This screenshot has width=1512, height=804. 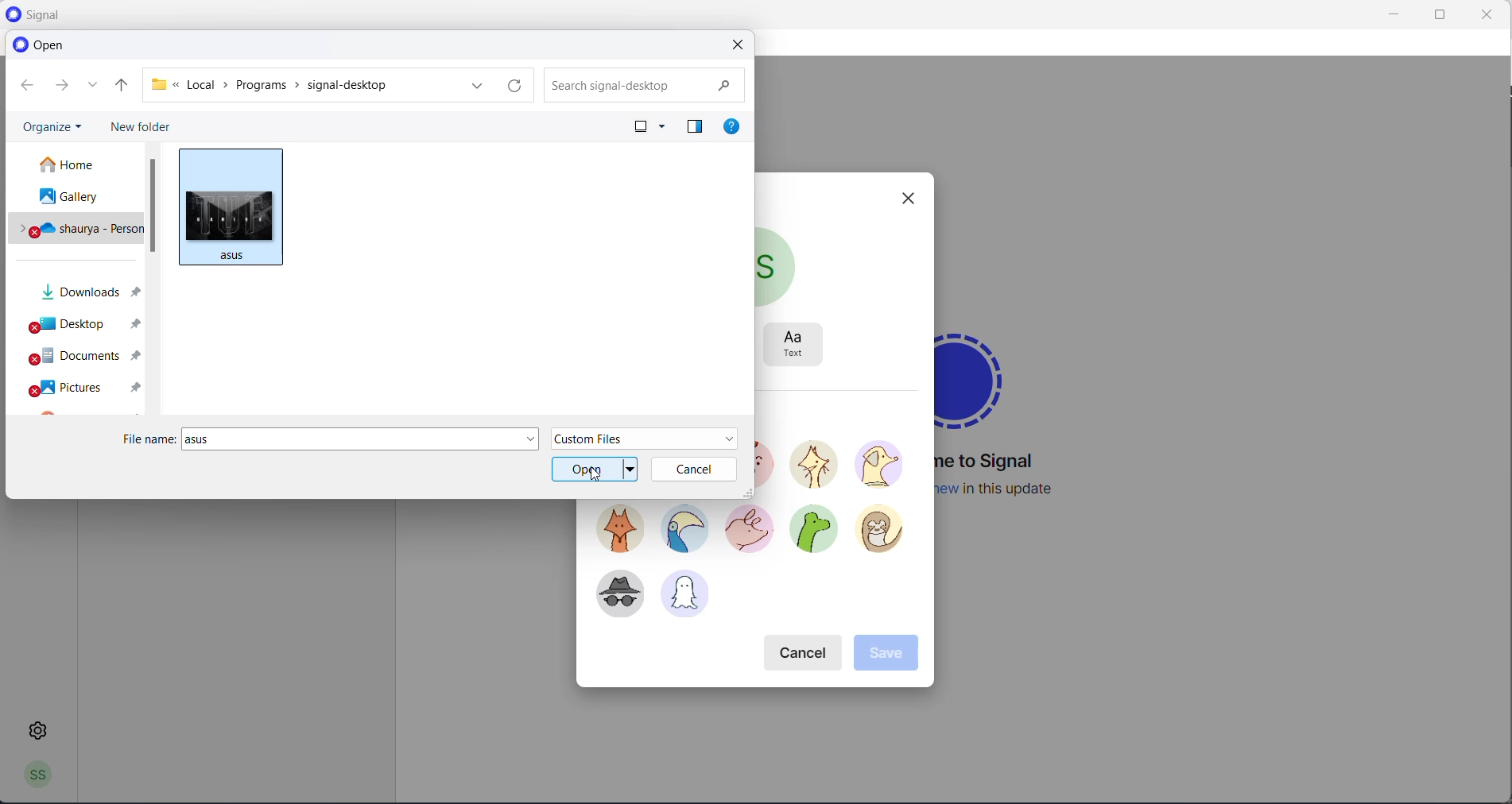 What do you see at coordinates (1489, 16) in the screenshot?
I see `close` at bounding box center [1489, 16].